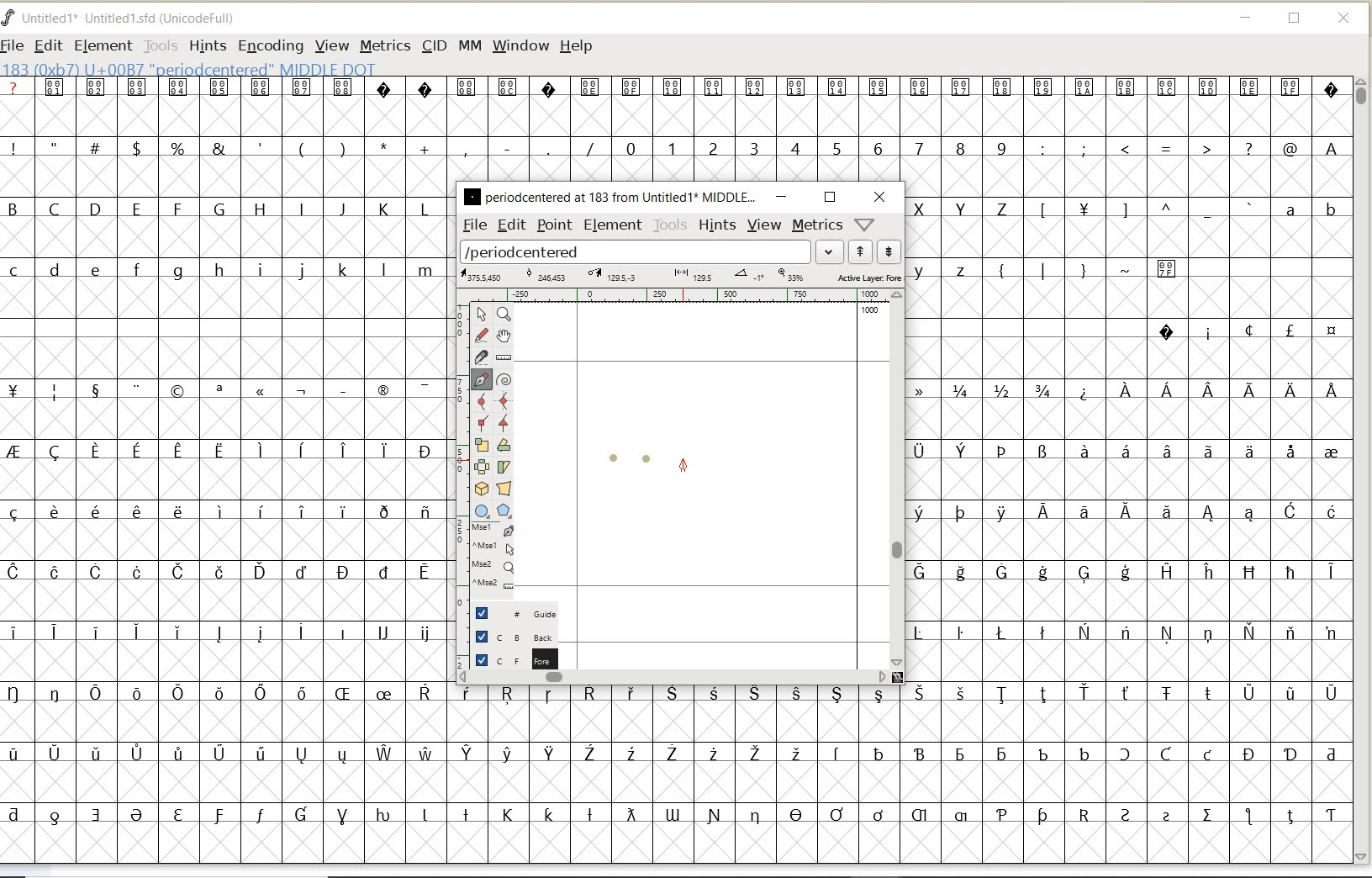 This screenshot has height=878, width=1372. I want to click on rotate the selection in 3D and project back to plane, so click(481, 488).